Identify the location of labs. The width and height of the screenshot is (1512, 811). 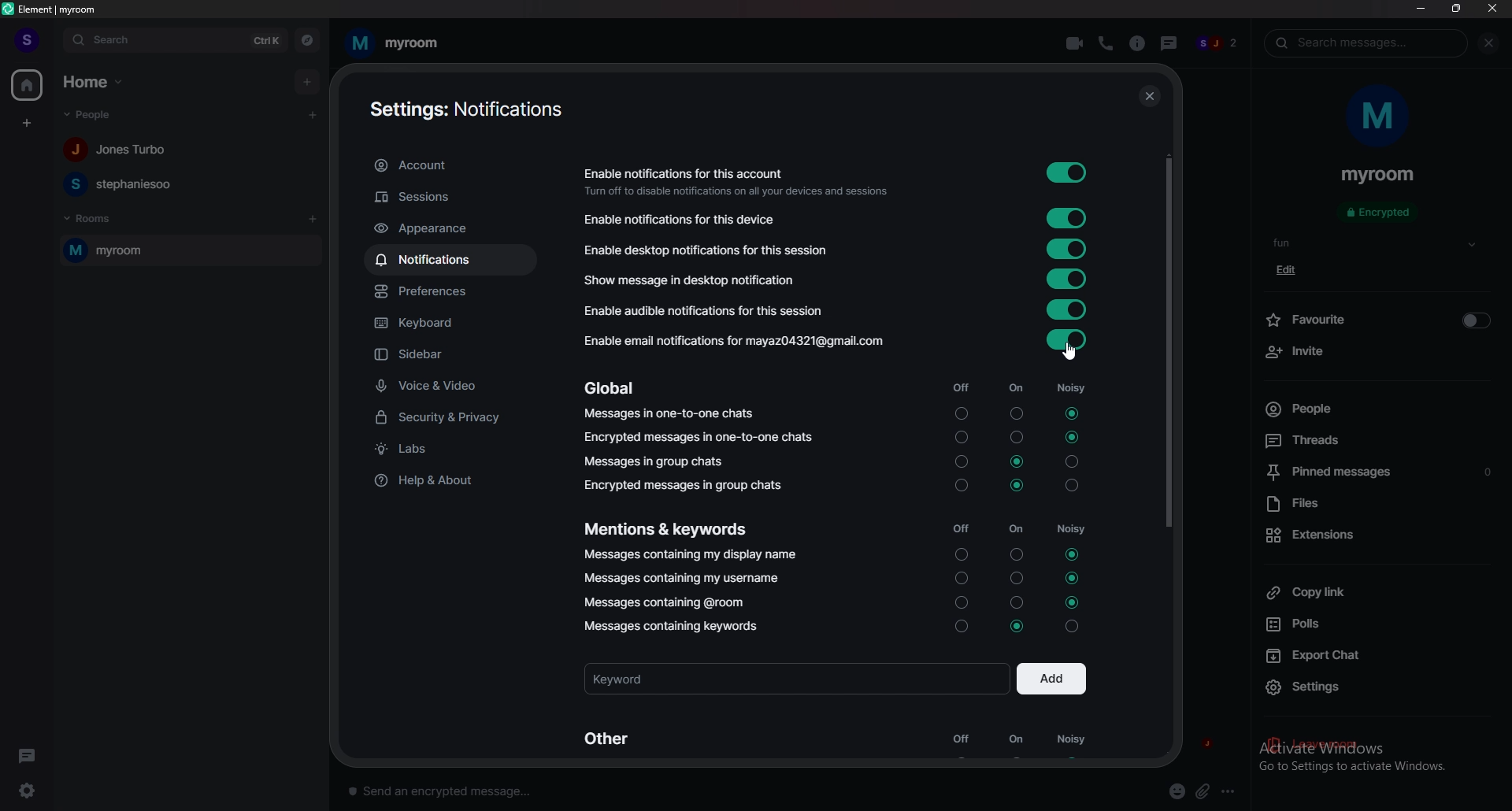
(450, 449).